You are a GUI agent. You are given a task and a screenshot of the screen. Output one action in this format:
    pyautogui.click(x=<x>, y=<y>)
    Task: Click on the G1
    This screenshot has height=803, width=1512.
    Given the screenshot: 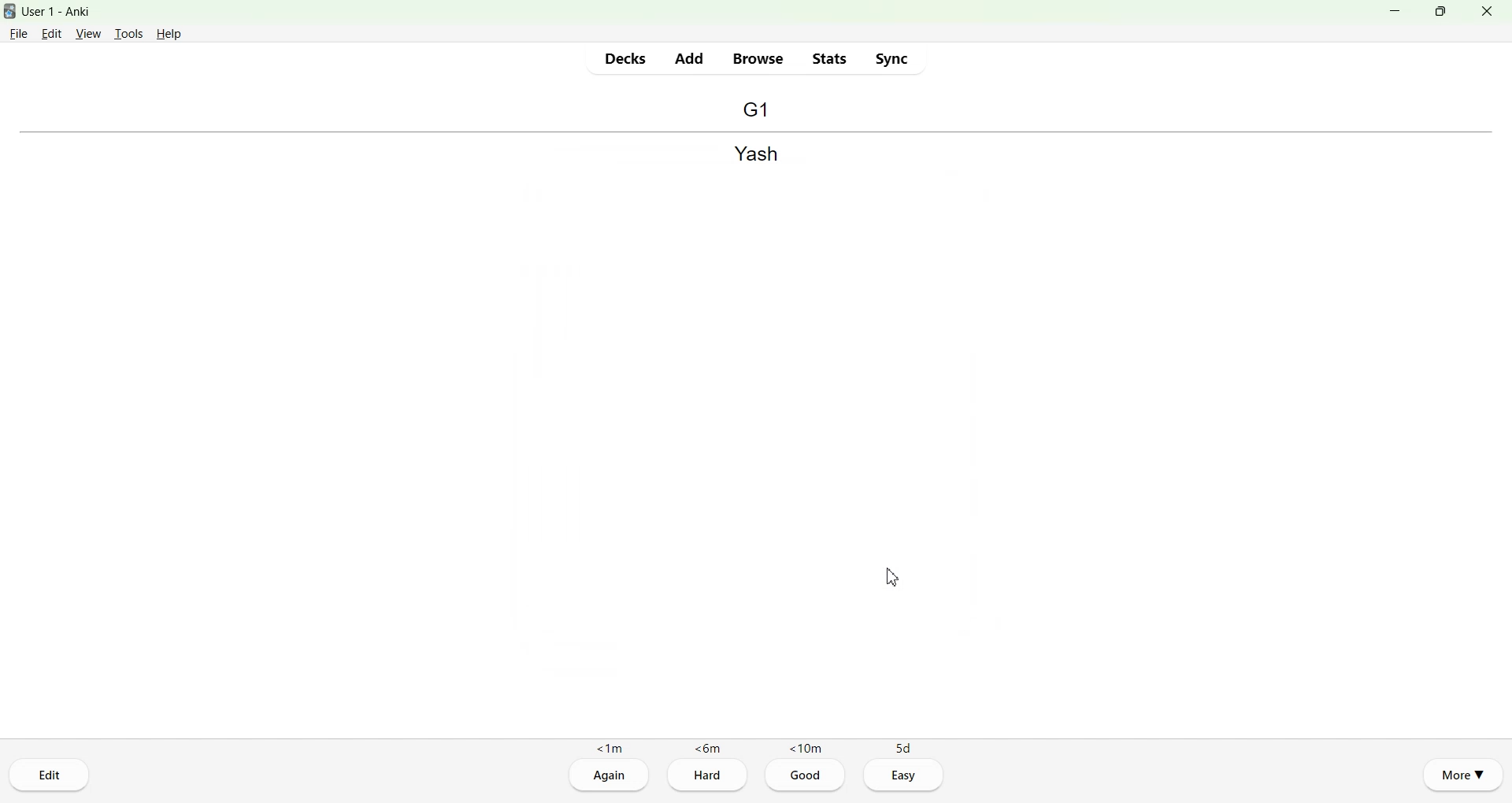 What is the action you would take?
    pyautogui.click(x=755, y=109)
    